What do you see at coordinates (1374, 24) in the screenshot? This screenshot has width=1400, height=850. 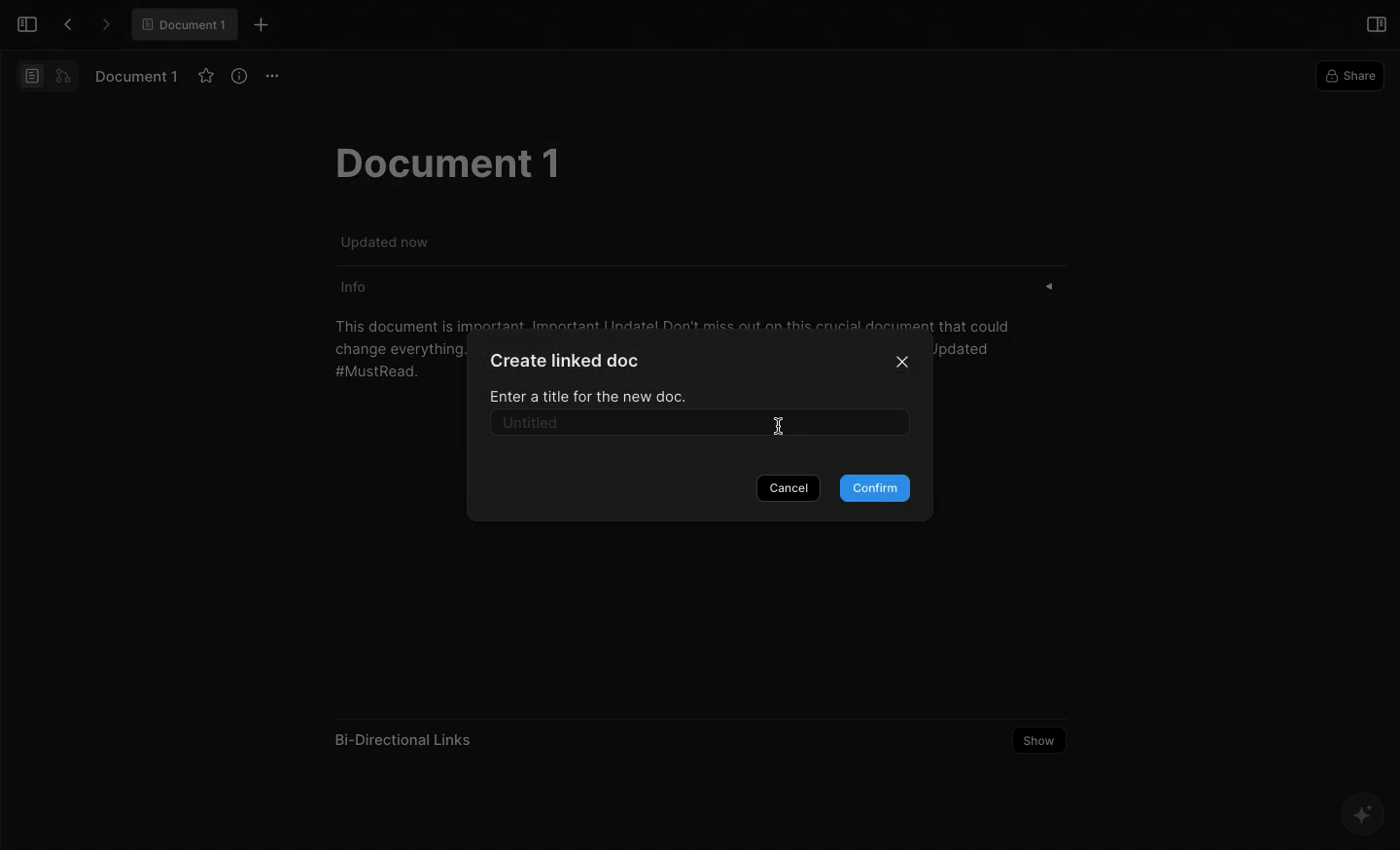 I see `Open right panel` at bounding box center [1374, 24].